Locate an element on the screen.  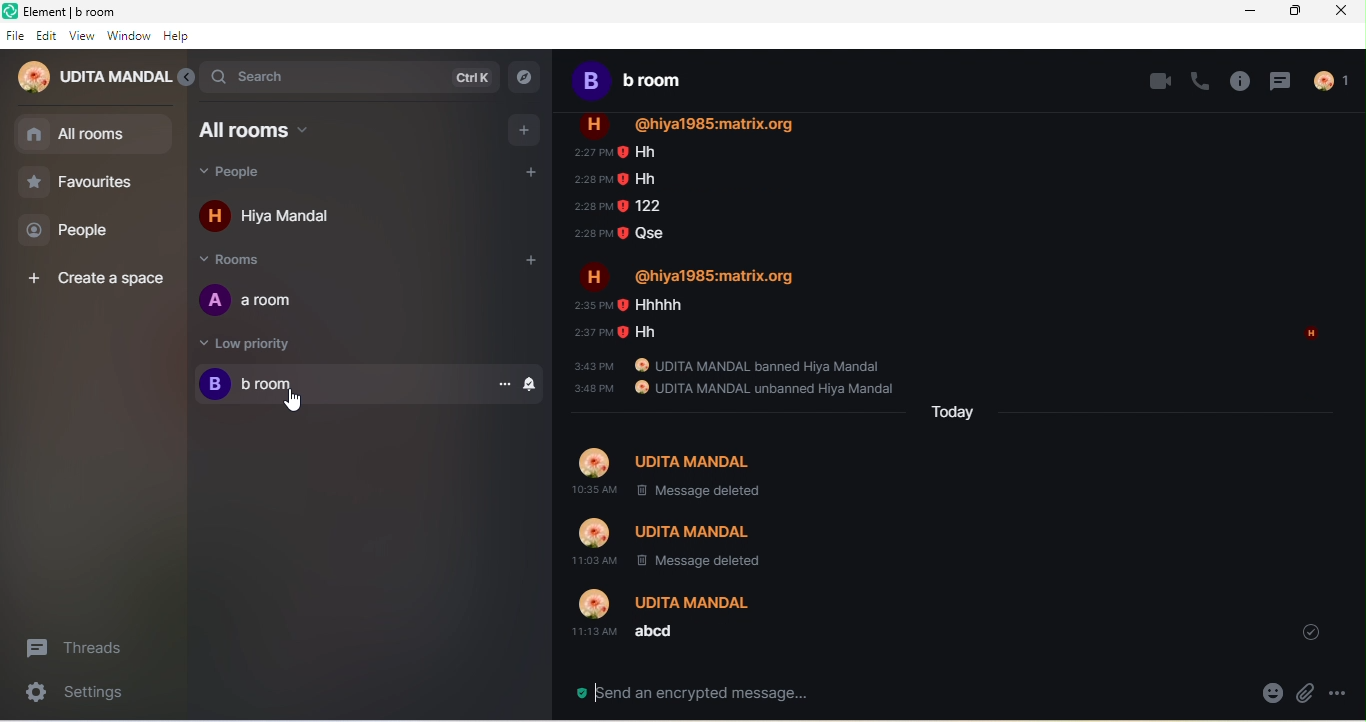
view is located at coordinates (82, 39).